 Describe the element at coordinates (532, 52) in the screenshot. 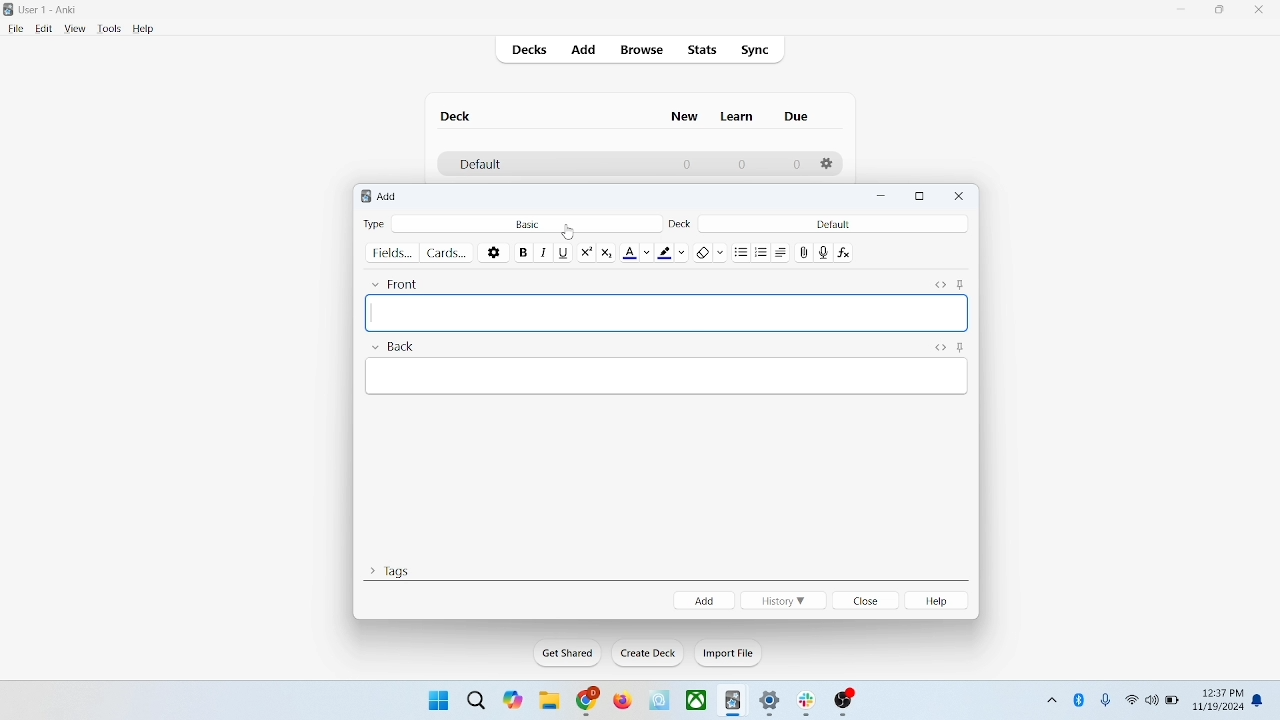

I see `decks` at that location.